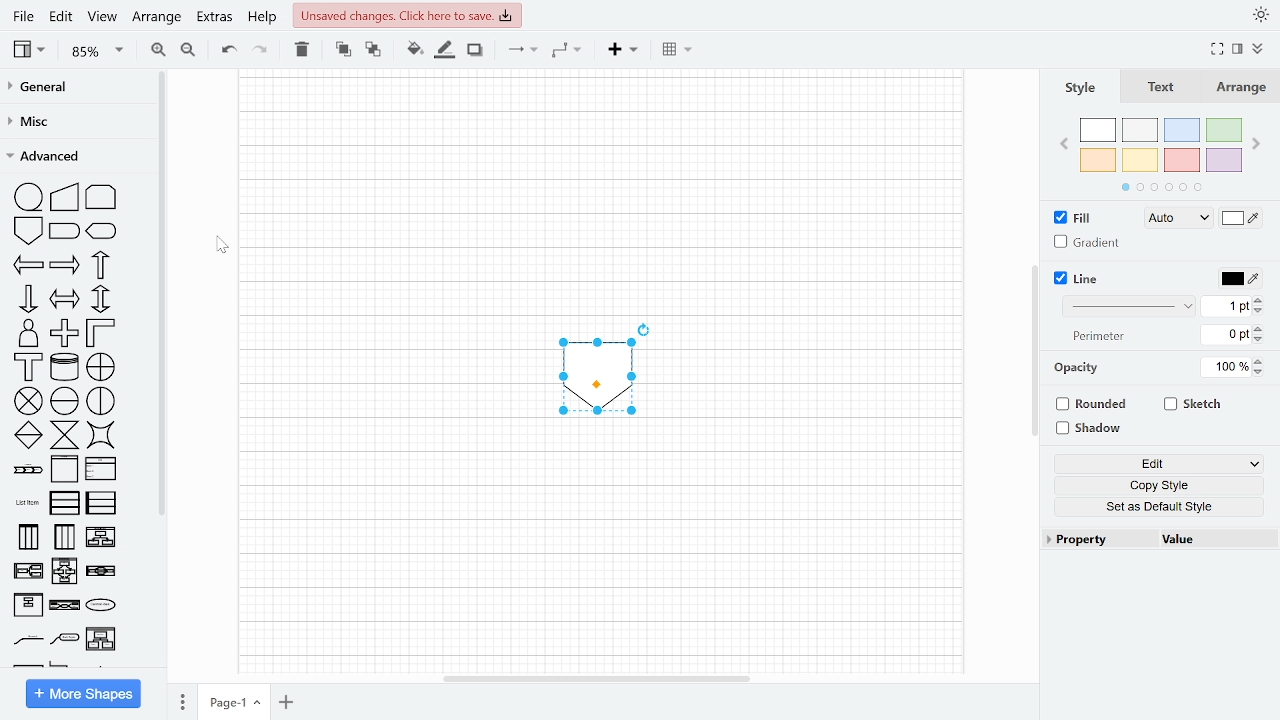  I want to click on General, so click(75, 88).